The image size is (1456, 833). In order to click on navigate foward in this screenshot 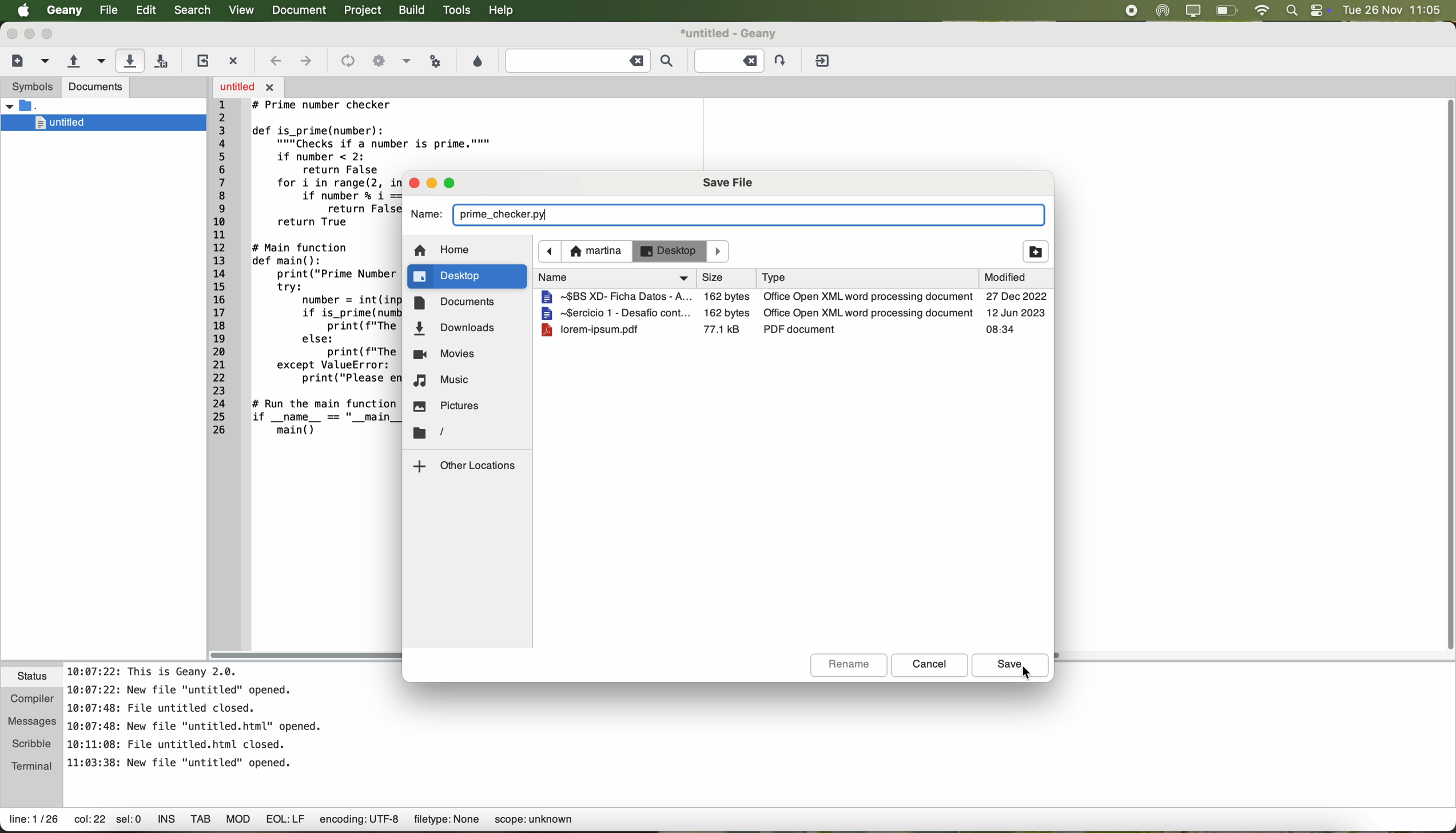, I will do `click(602, 252)`.